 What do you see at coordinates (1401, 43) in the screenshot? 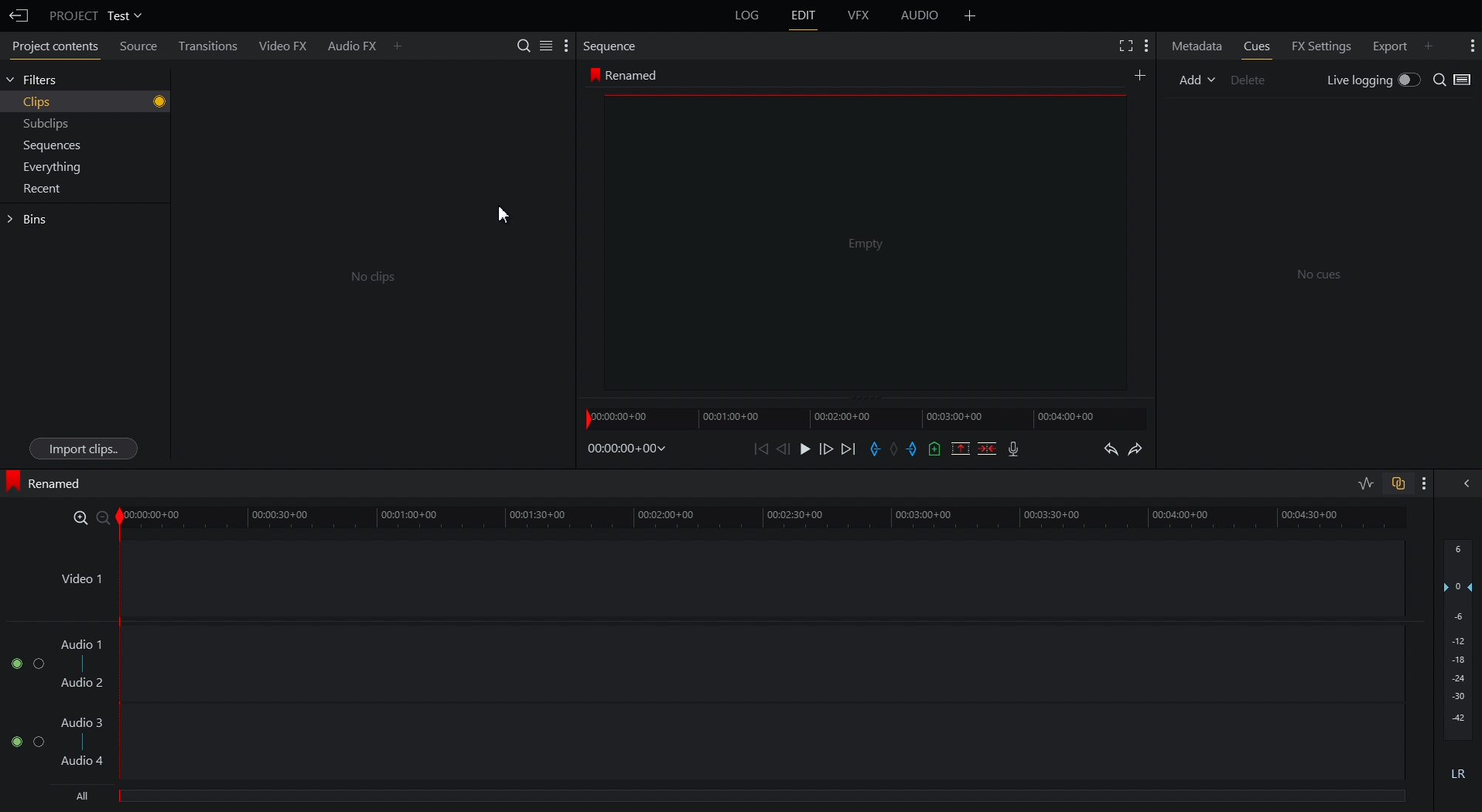
I see `Export` at bounding box center [1401, 43].